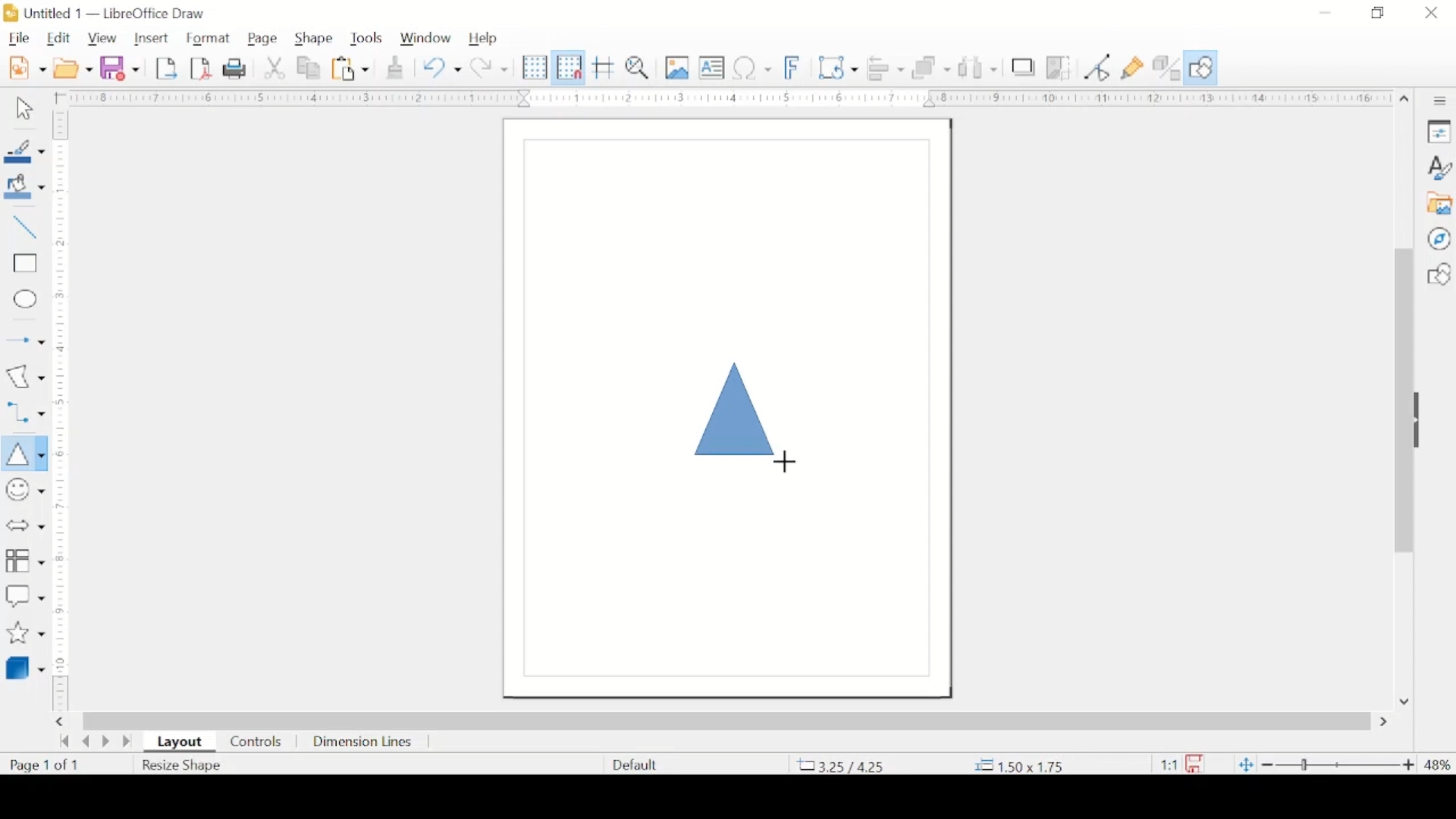  Describe the element at coordinates (255, 742) in the screenshot. I see `controls` at that location.